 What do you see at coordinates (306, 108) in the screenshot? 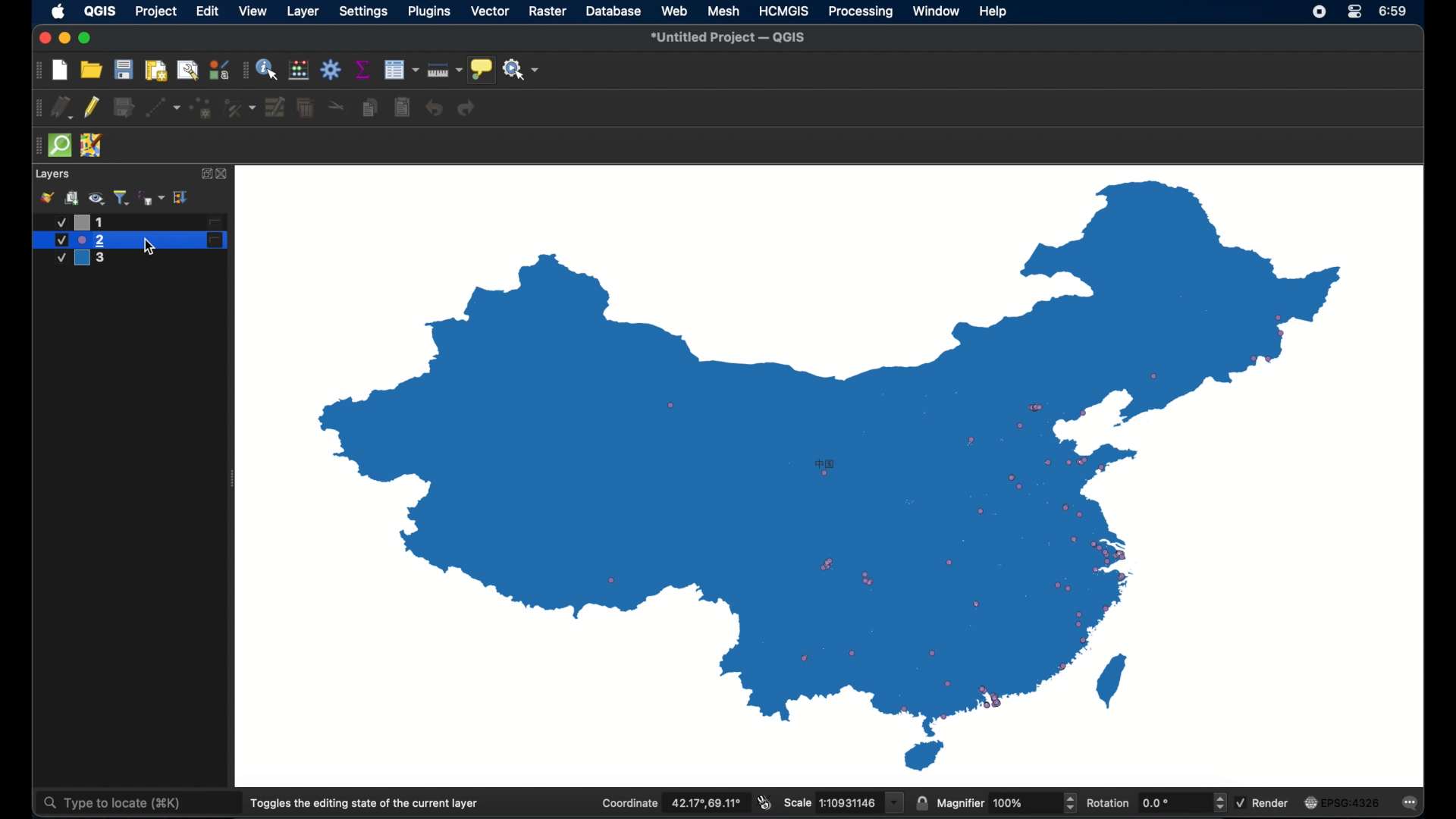
I see `delete selected` at bounding box center [306, 108].